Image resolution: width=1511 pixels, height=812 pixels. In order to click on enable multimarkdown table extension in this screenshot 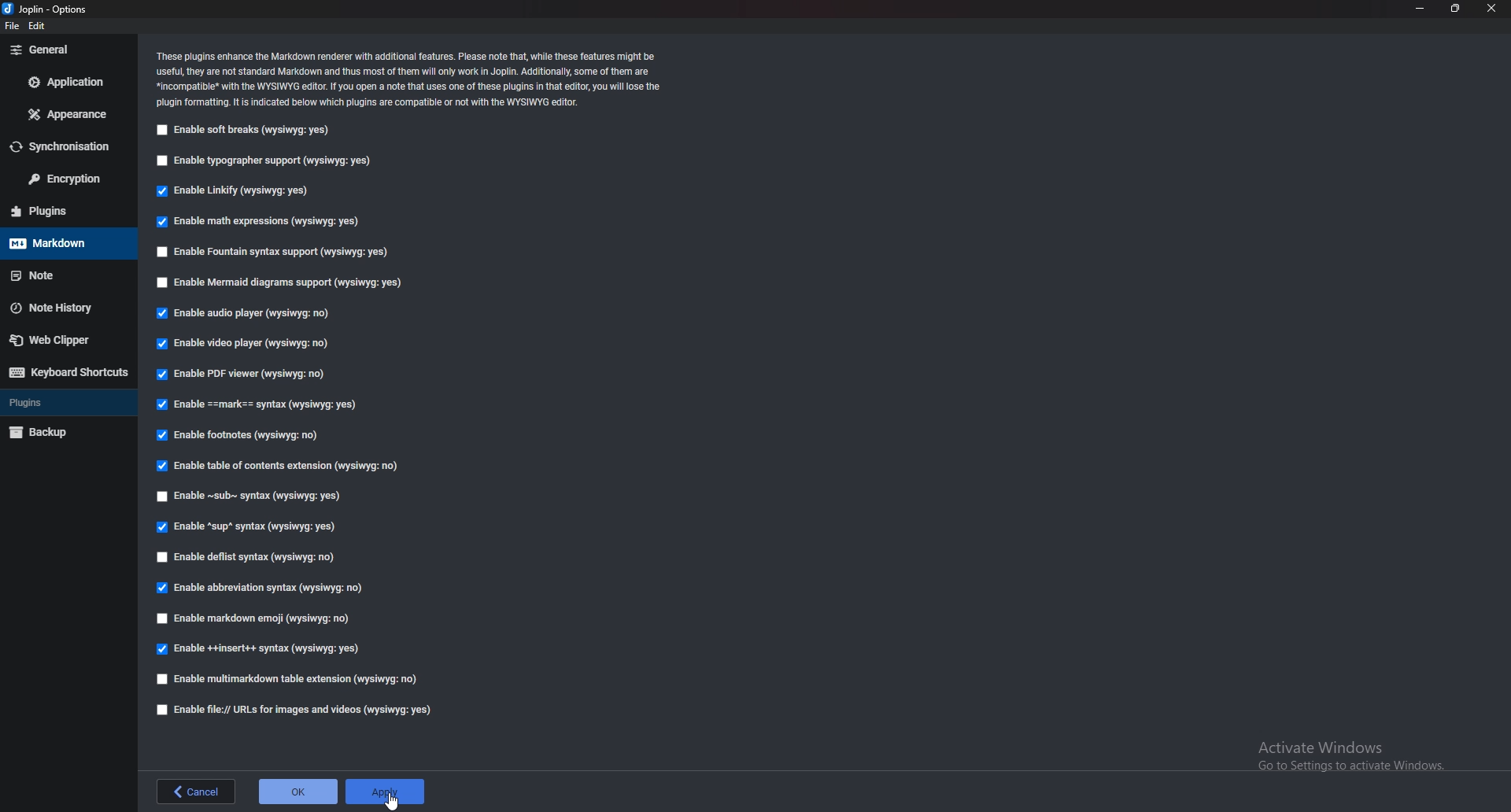, I will do `click(290, 680)`.